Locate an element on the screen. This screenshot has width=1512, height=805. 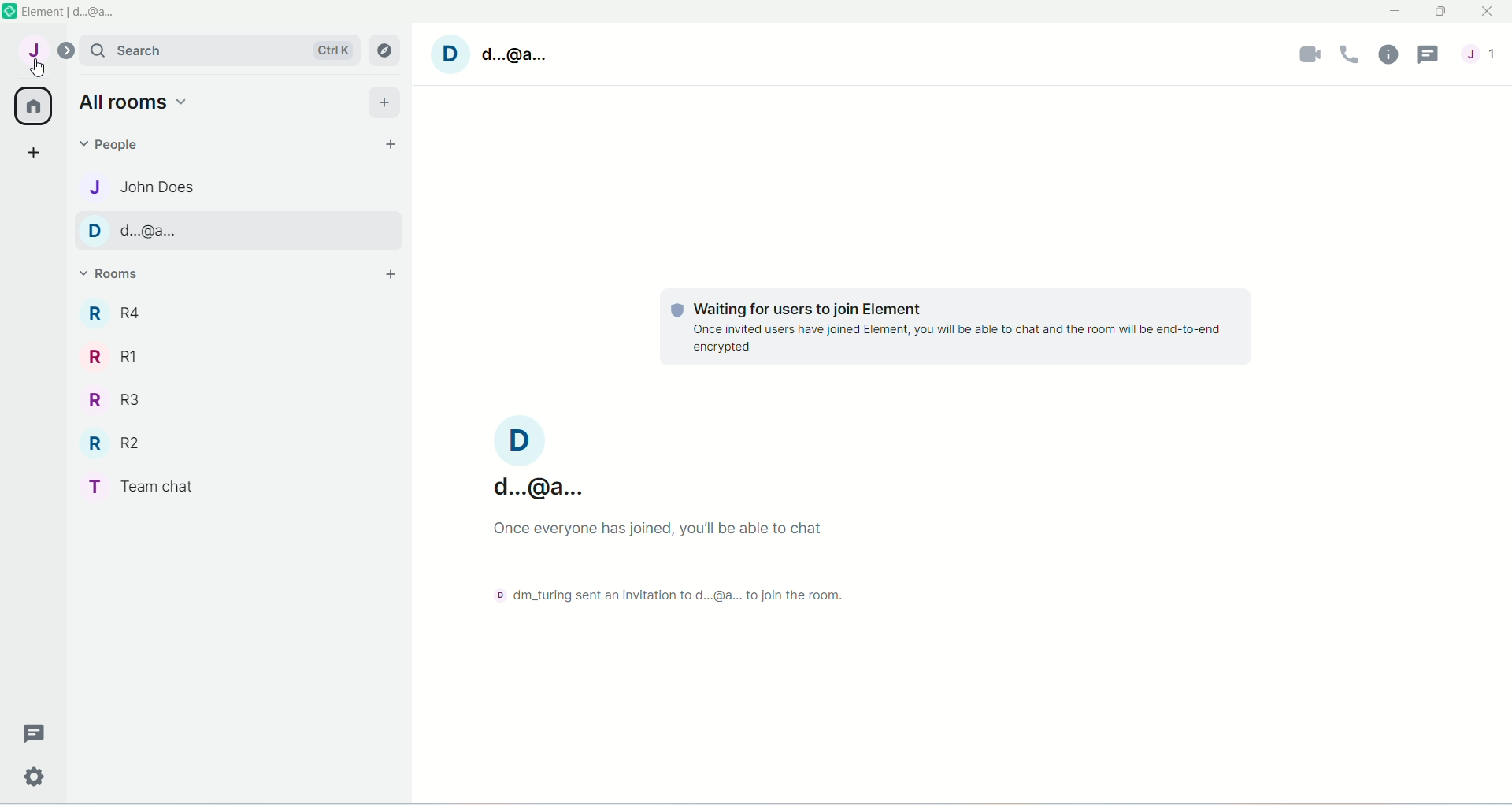
once everyone has joined,you'll be able to chat is located at coordinates (649, 530).